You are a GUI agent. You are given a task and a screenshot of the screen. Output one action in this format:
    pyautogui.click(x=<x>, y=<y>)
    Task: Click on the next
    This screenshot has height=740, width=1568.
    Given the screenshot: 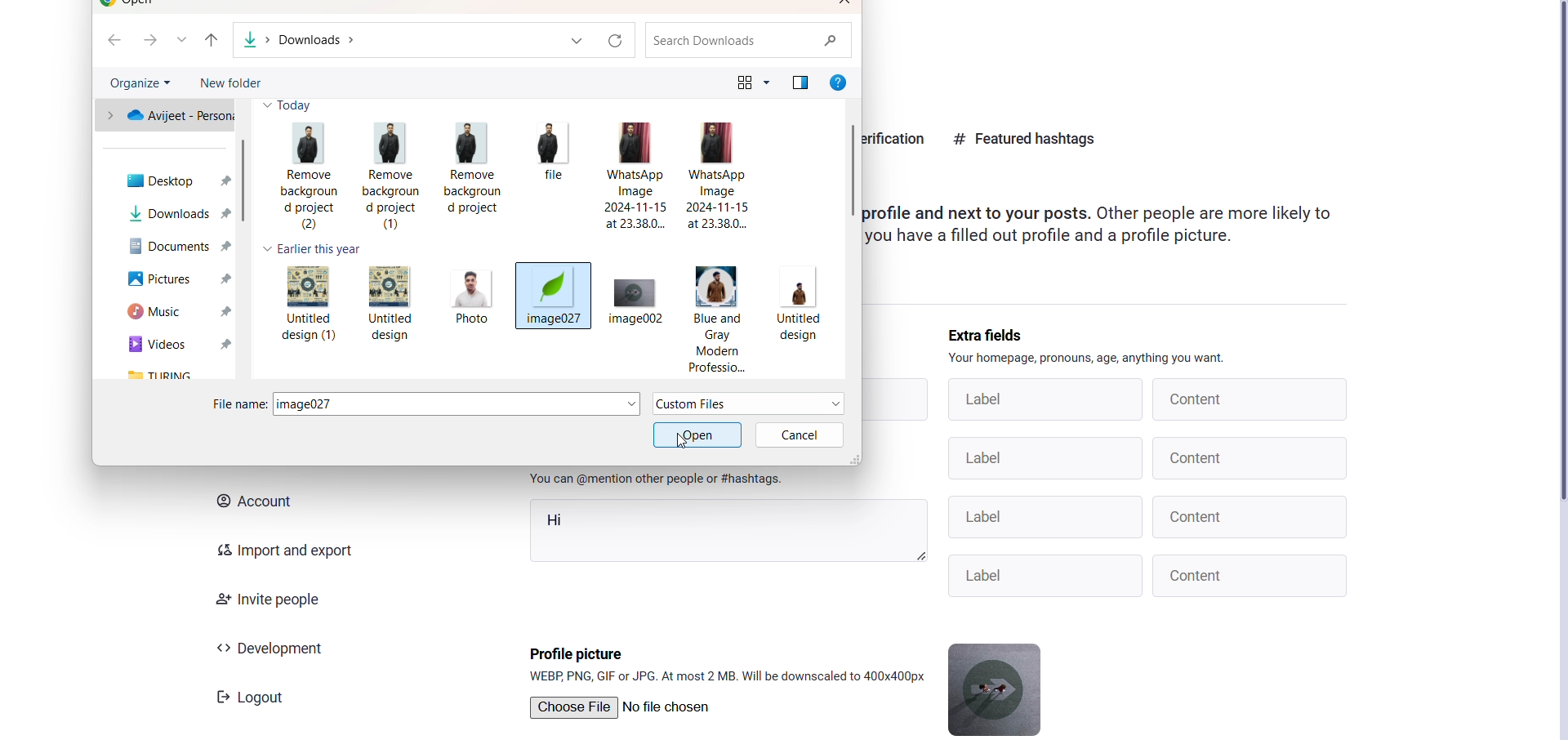 What is the action you would take?
    pyautogui.click(x=148, y=40)
    